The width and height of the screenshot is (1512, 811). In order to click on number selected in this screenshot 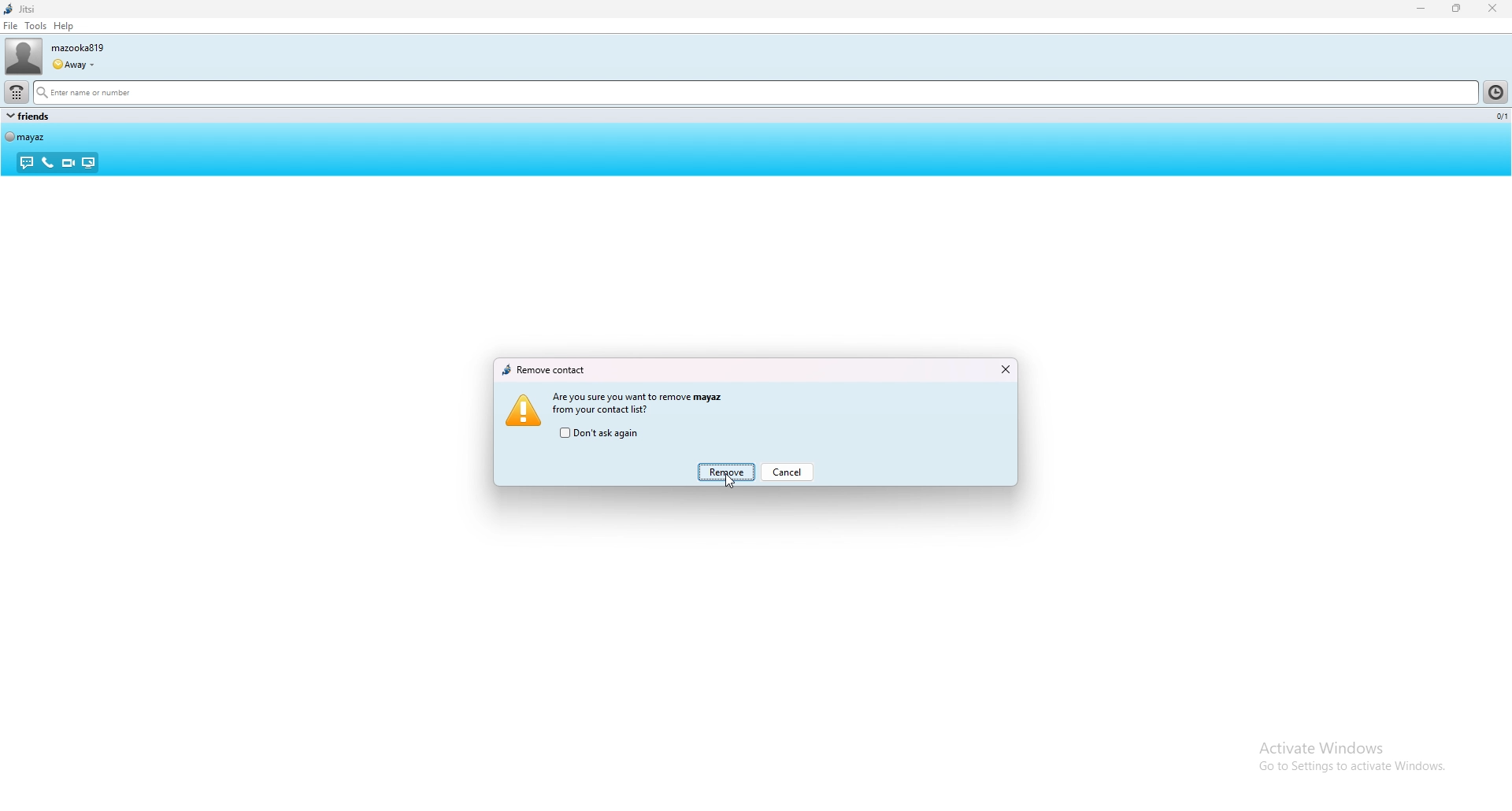, I will do `click(1499, 117)`.